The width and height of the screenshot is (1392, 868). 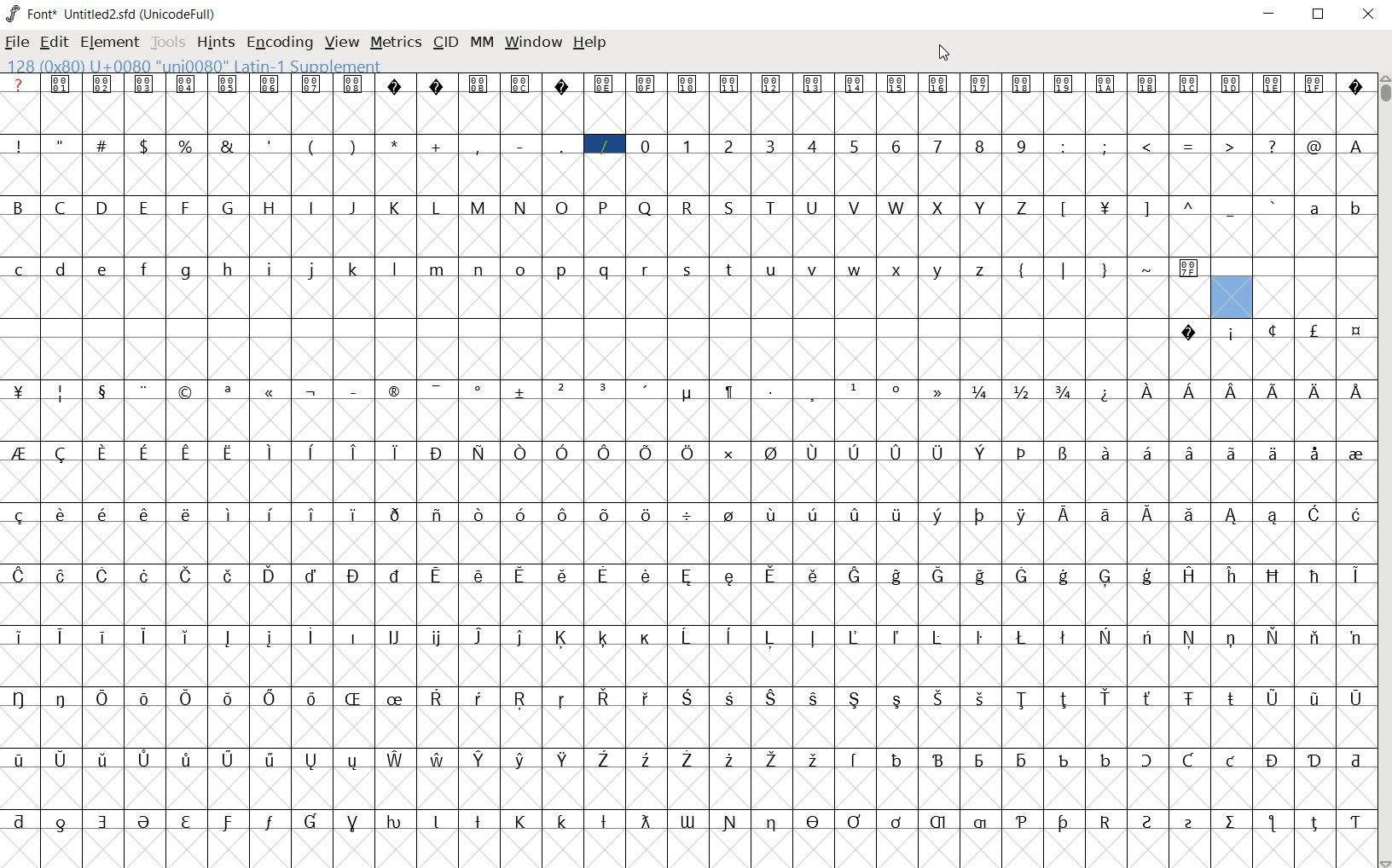 I want to click on glyph, so click(x=1147, y=576).